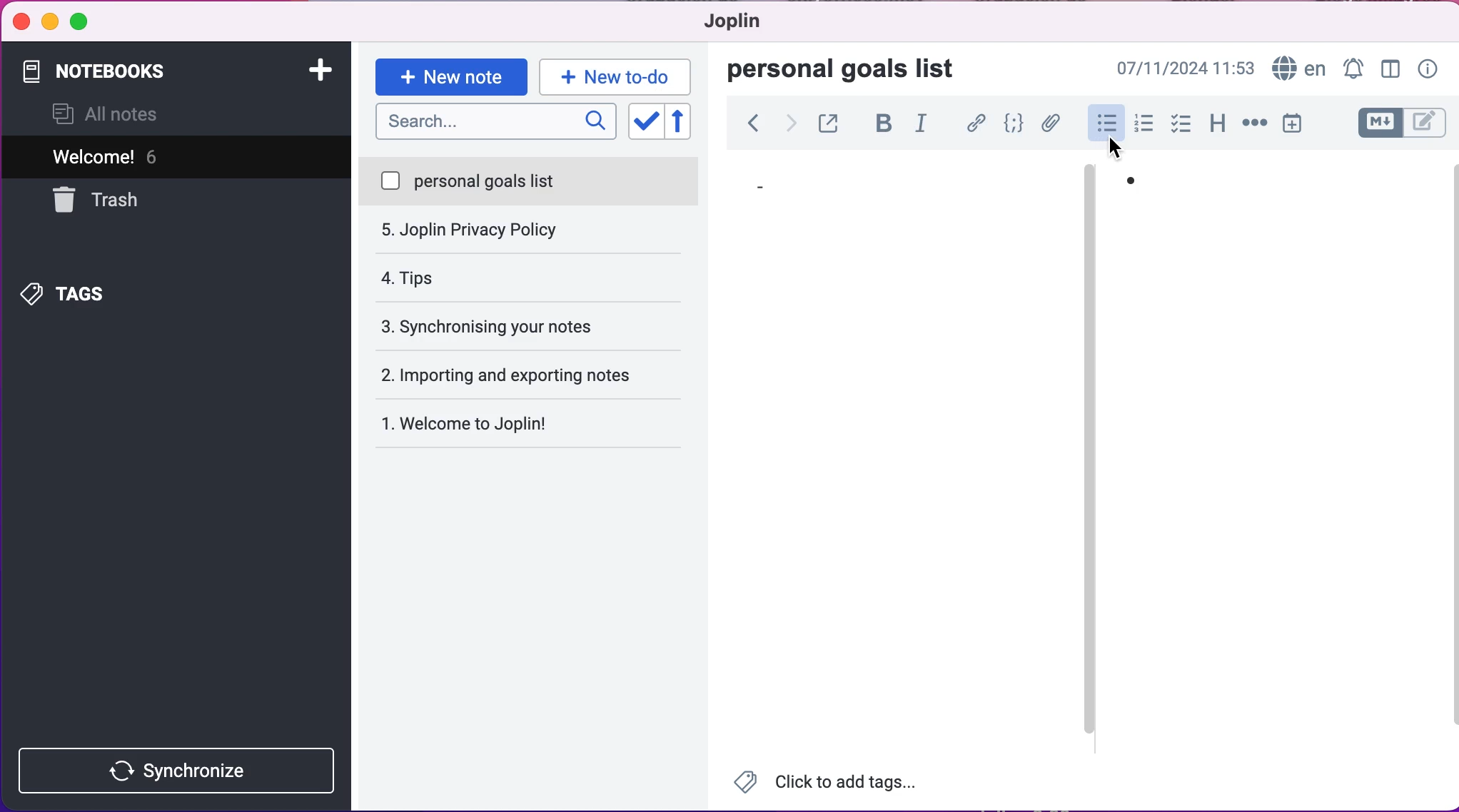 Image resolution: width=1459 pixels, height=812 pixels. Describe the element at coordinates (536, 325) in the screenshot. I see `importing and exporting notes` at that location.